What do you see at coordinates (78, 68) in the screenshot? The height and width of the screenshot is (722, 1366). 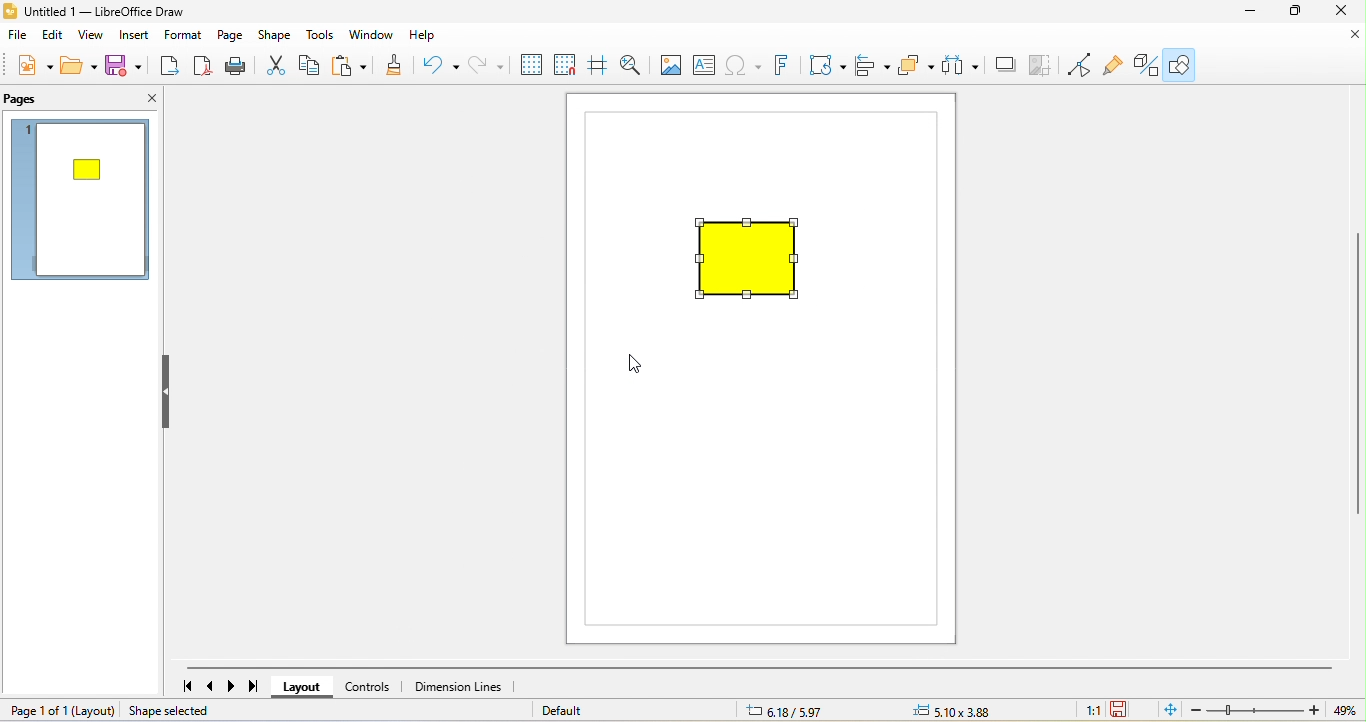 I see `open` at bounding box center [78, 68].